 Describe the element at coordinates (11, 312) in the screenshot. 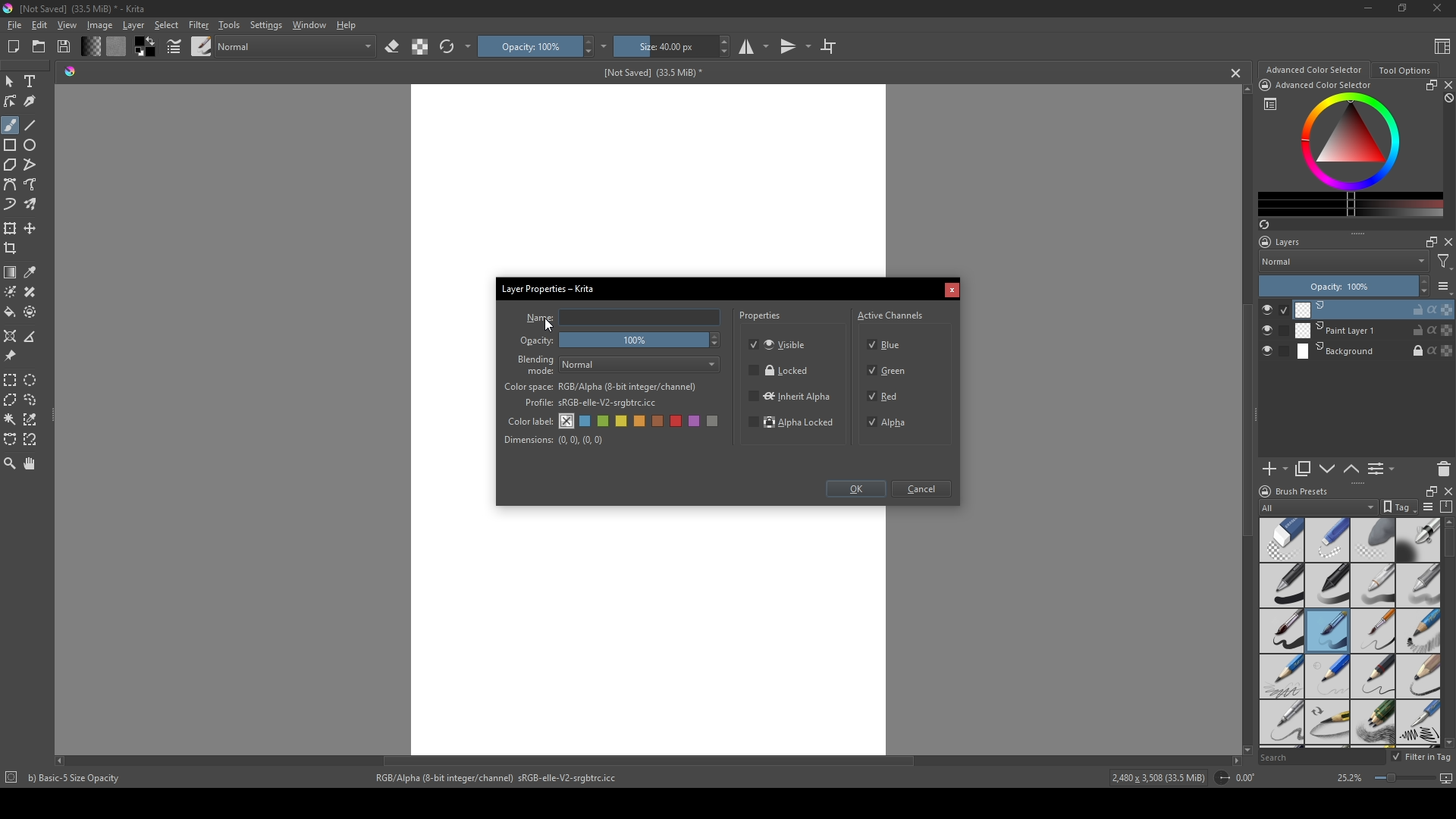

I see `bucket fill` at that location.